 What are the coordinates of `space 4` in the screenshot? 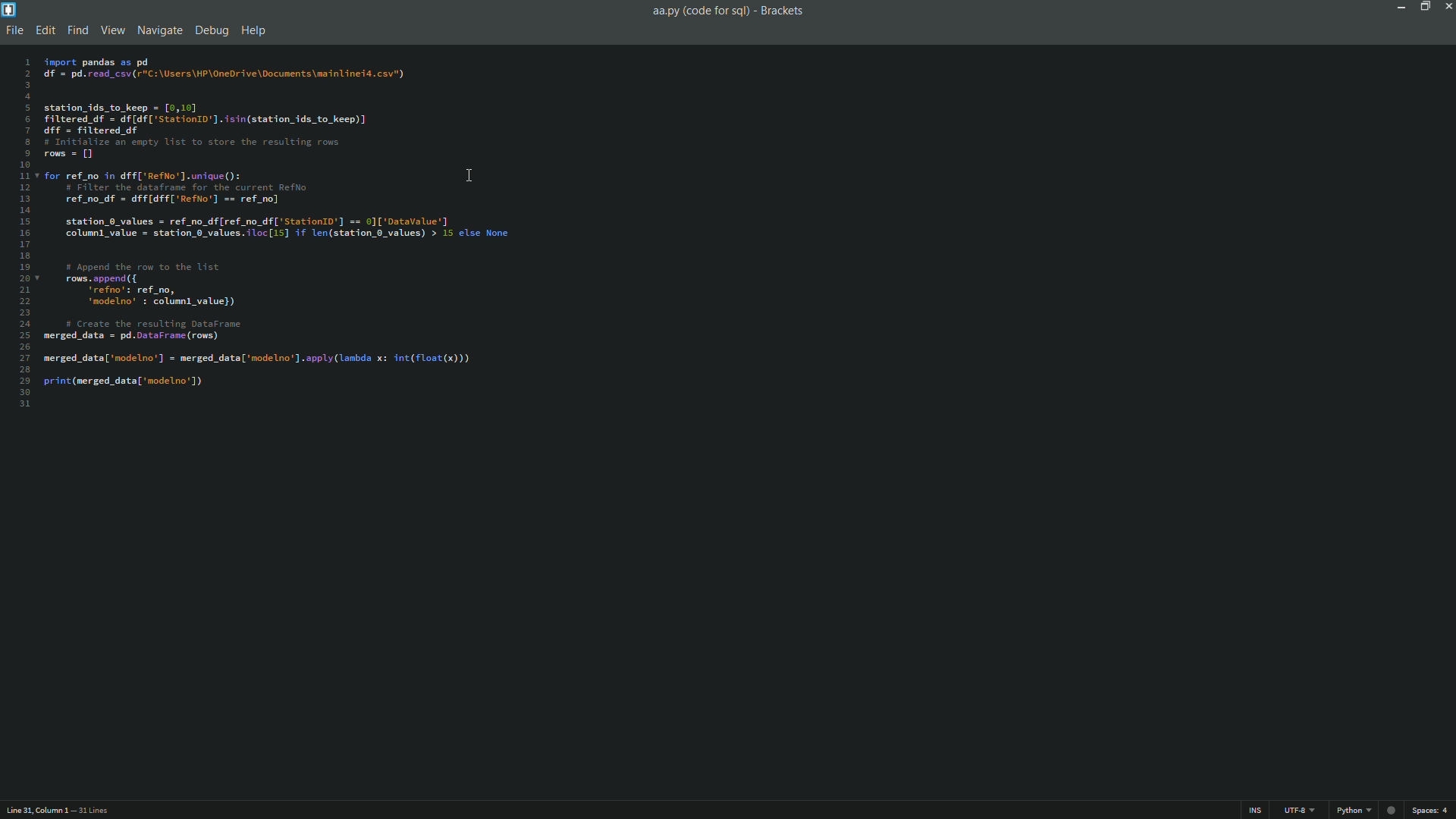 It's located at (1432, 808).